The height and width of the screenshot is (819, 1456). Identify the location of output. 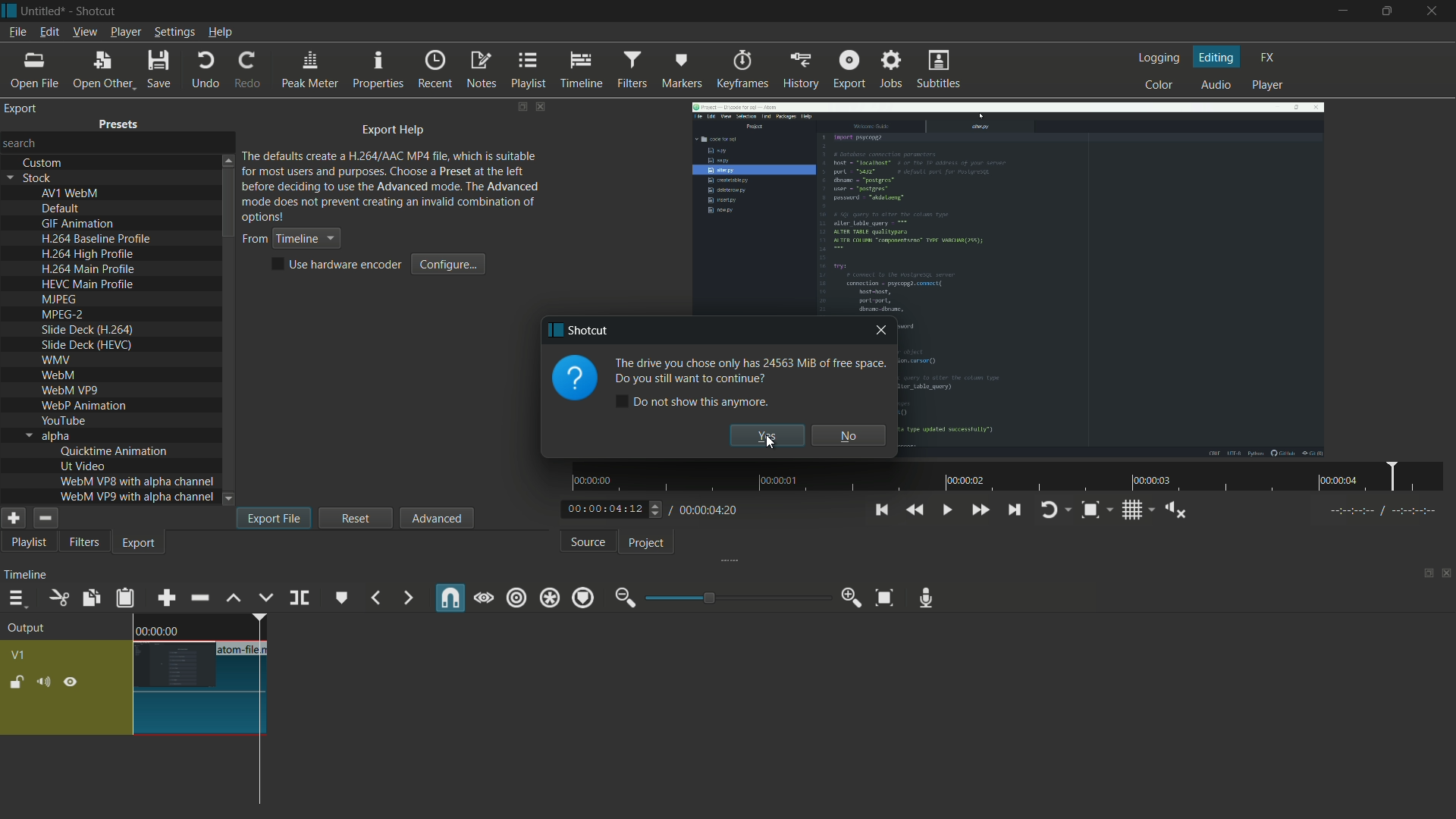
(30, 629).